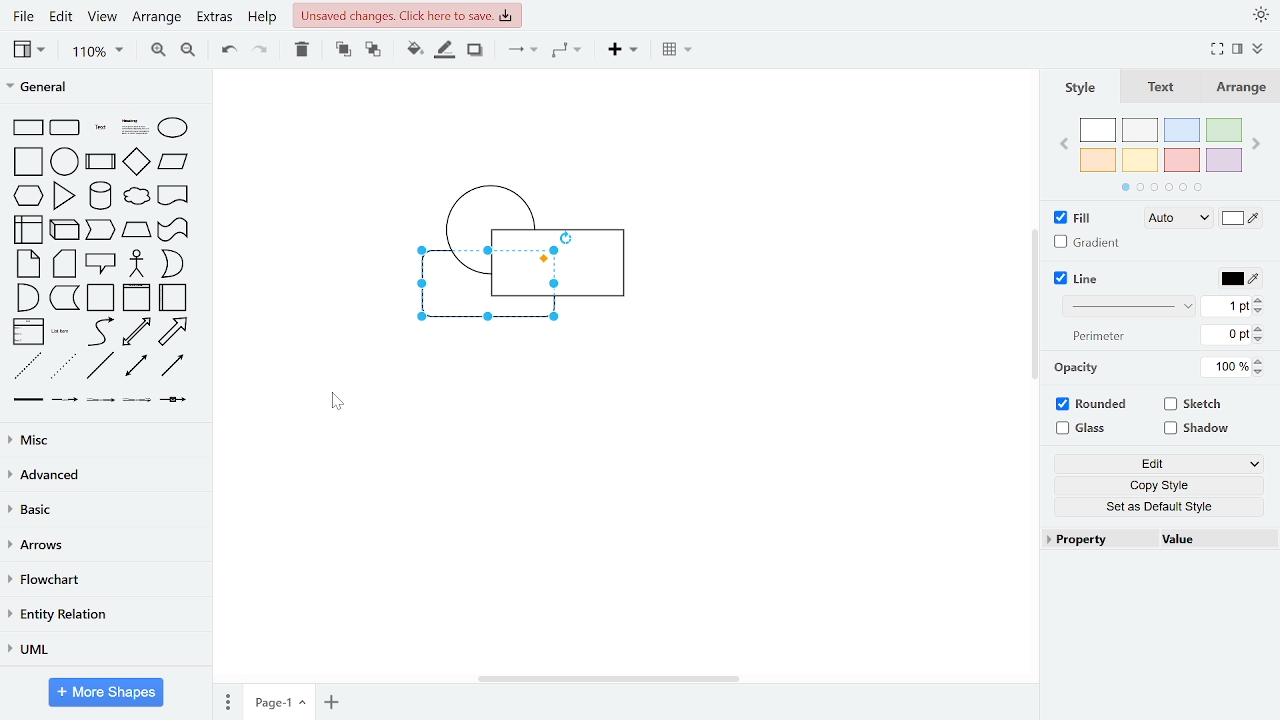 Image resolution: width=1280 pixels, height=720 pixels. I want to click on sketch, so click(1194, 403).